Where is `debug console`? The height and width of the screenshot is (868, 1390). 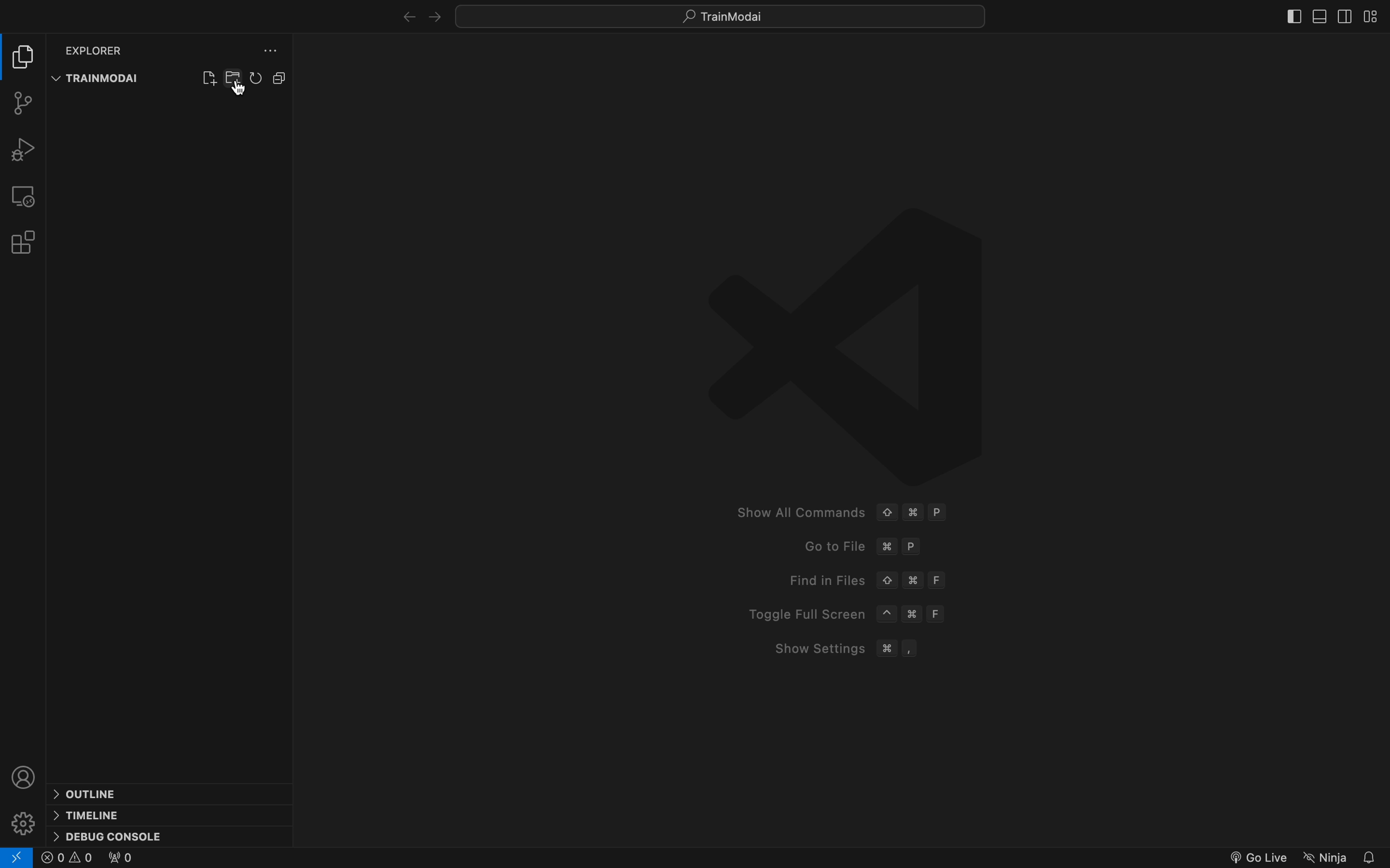
debug console is located at coordinates (112, 834).